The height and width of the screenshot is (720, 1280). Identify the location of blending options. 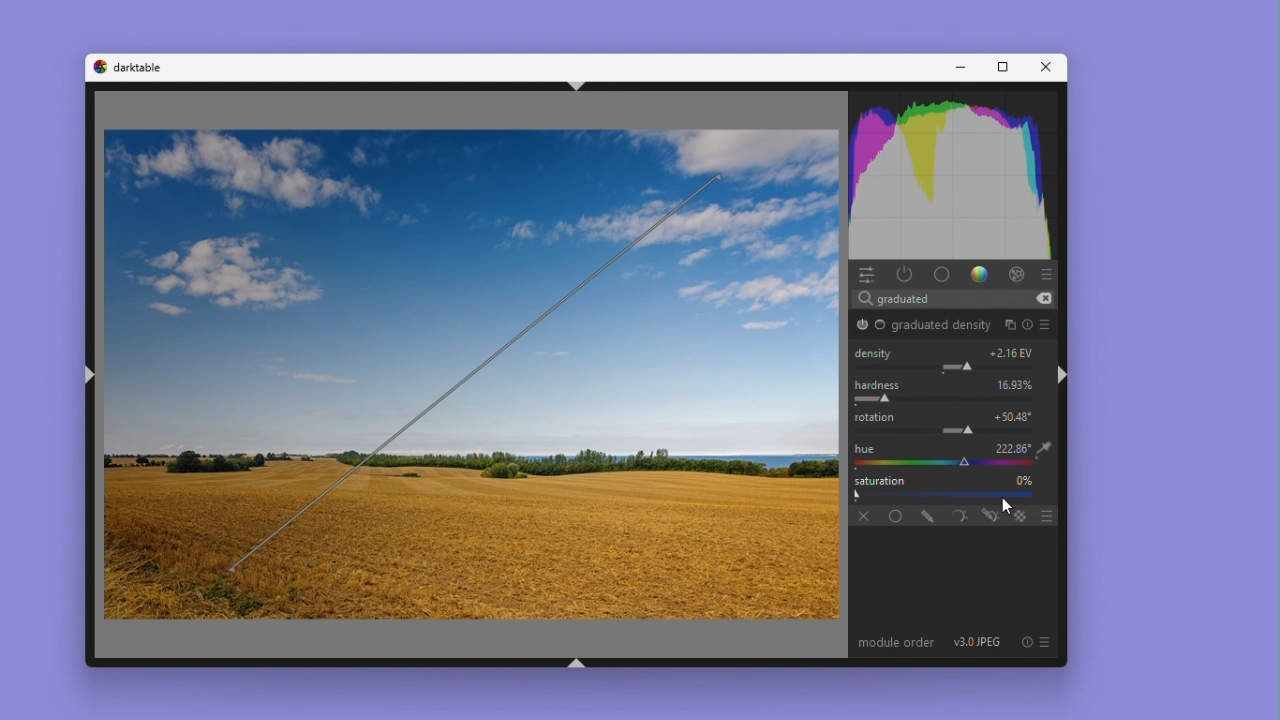
(1021, 515).